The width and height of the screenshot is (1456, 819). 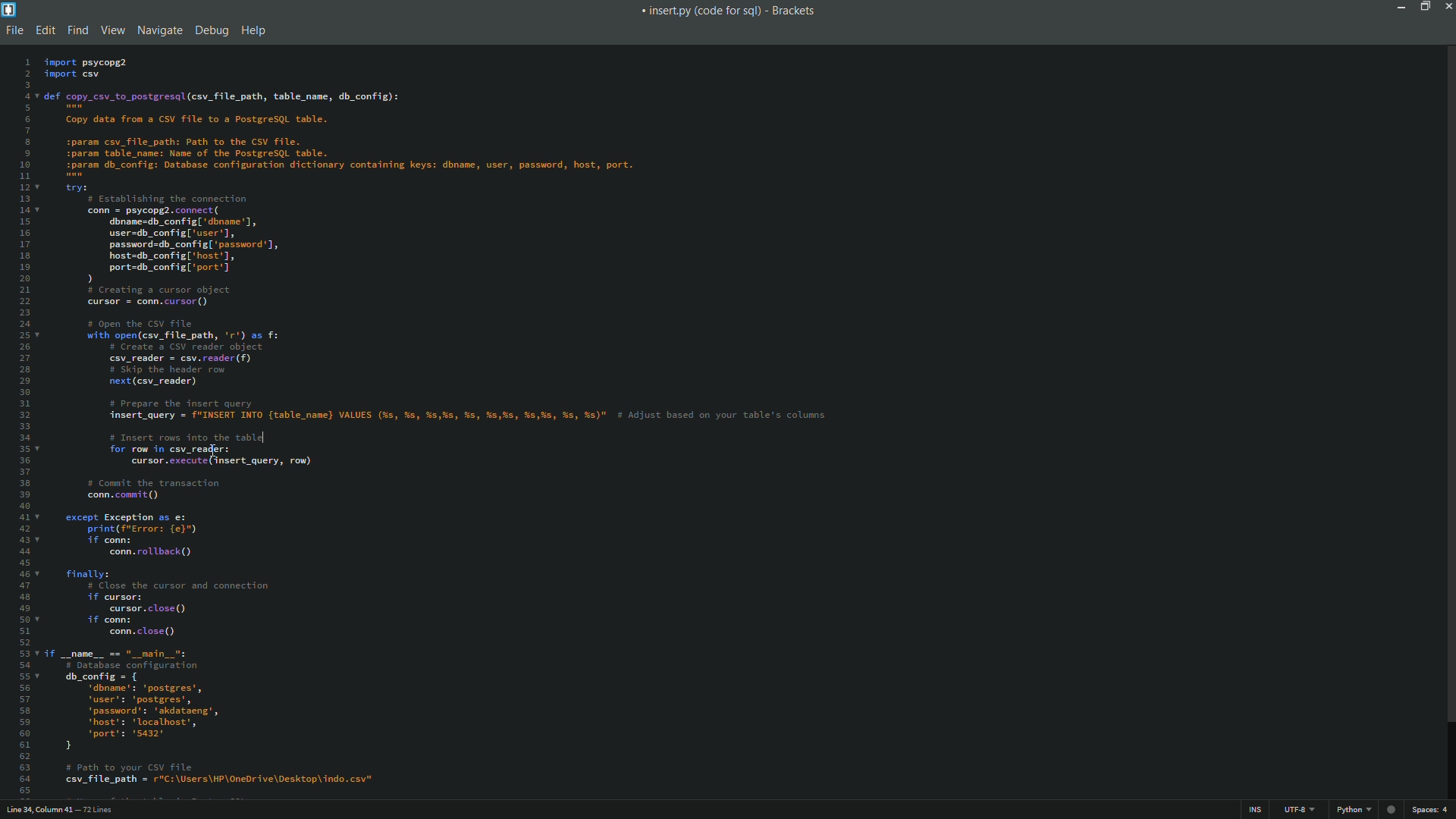 What do you see at coordinates (98, 811) in the screenshot?
I see `number of lines` at bounding box center [98, 811].